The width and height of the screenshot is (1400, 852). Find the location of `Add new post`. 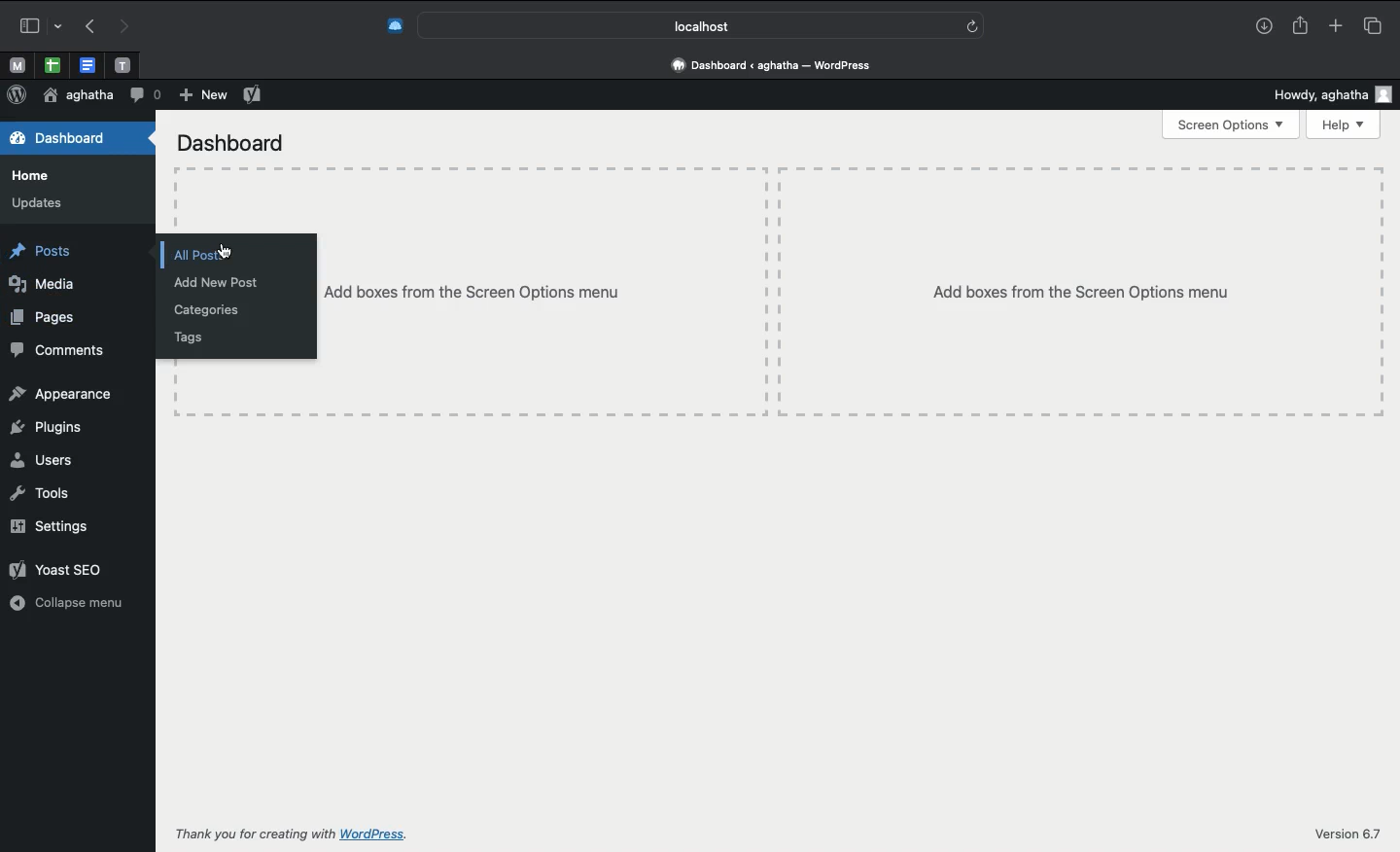

Add new post is located at coordinates (209, 282).